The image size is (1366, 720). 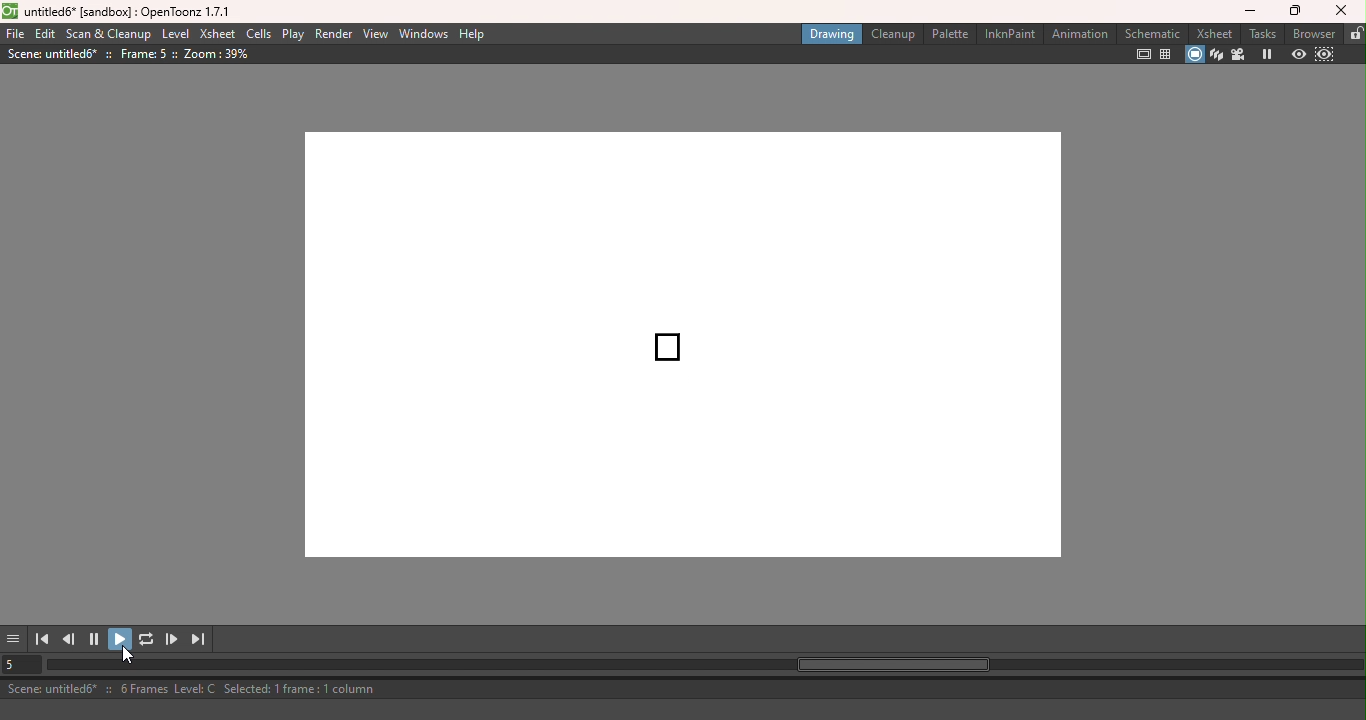 What do you see at coordinates (43, 639) in the screenshot?
I see `First frame` at bounding box center [43, 639].